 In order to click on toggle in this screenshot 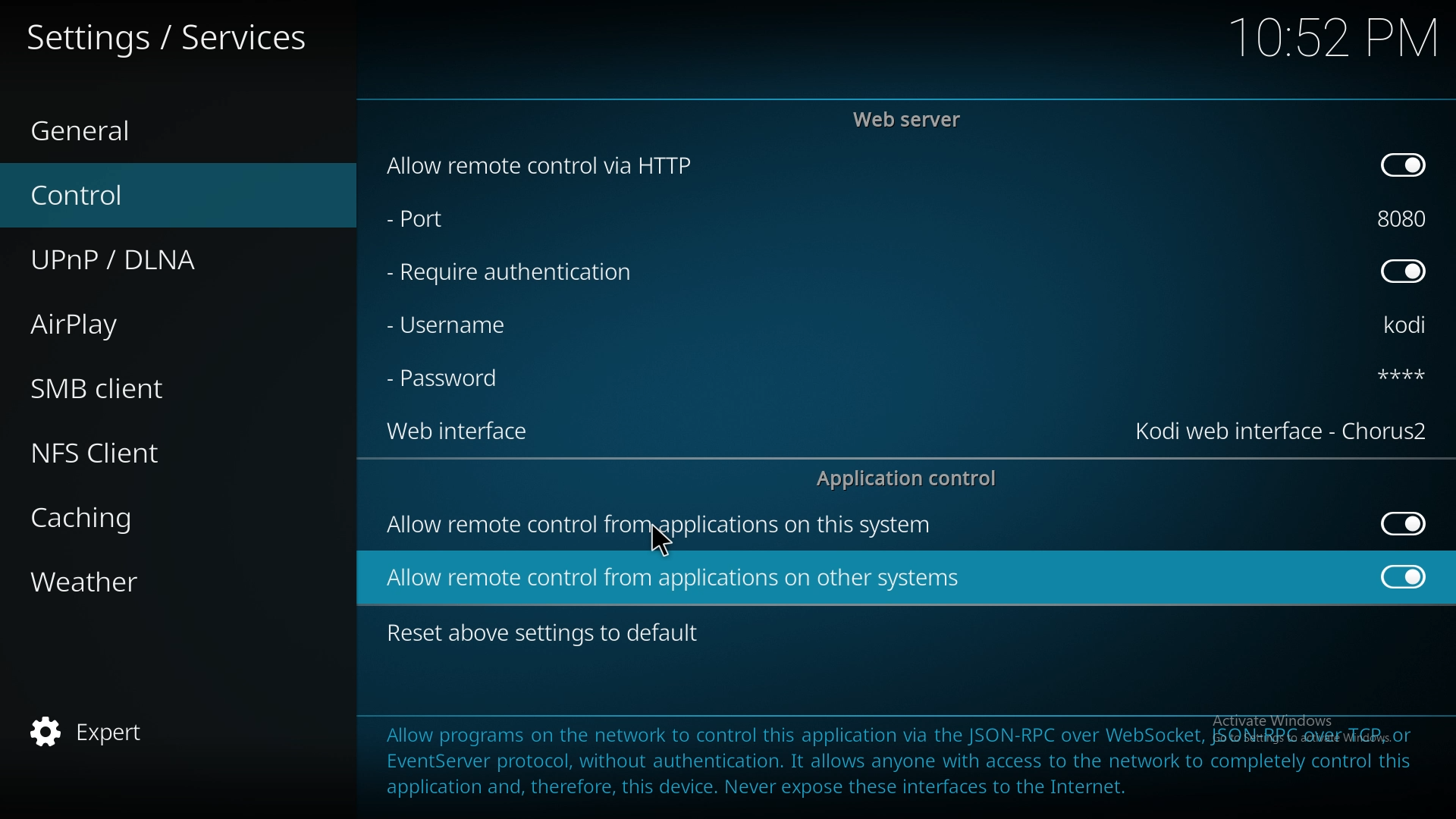, I will do `click(1404, 524)`.